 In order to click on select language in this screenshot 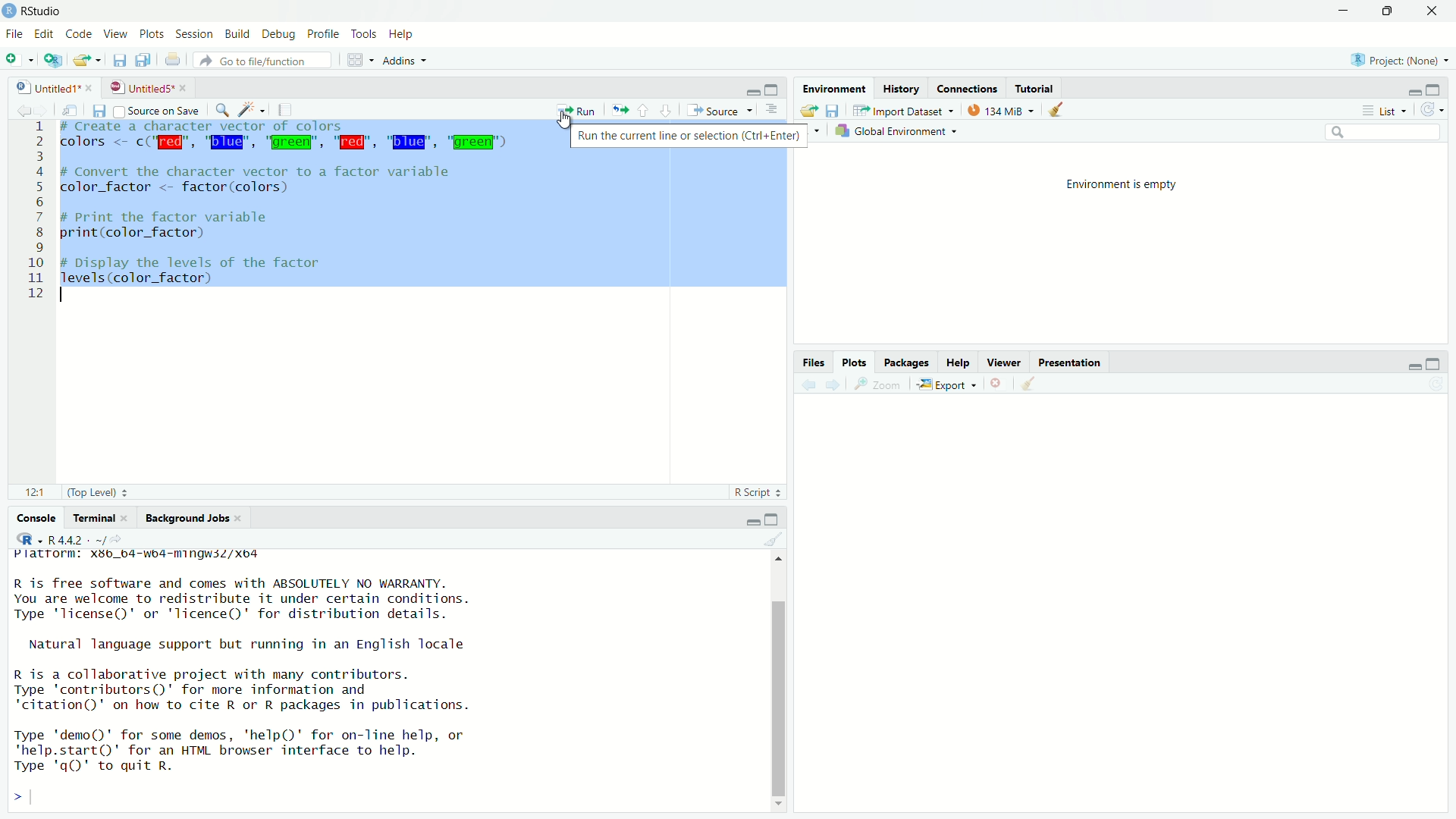, I will do `click(23, 541)`.